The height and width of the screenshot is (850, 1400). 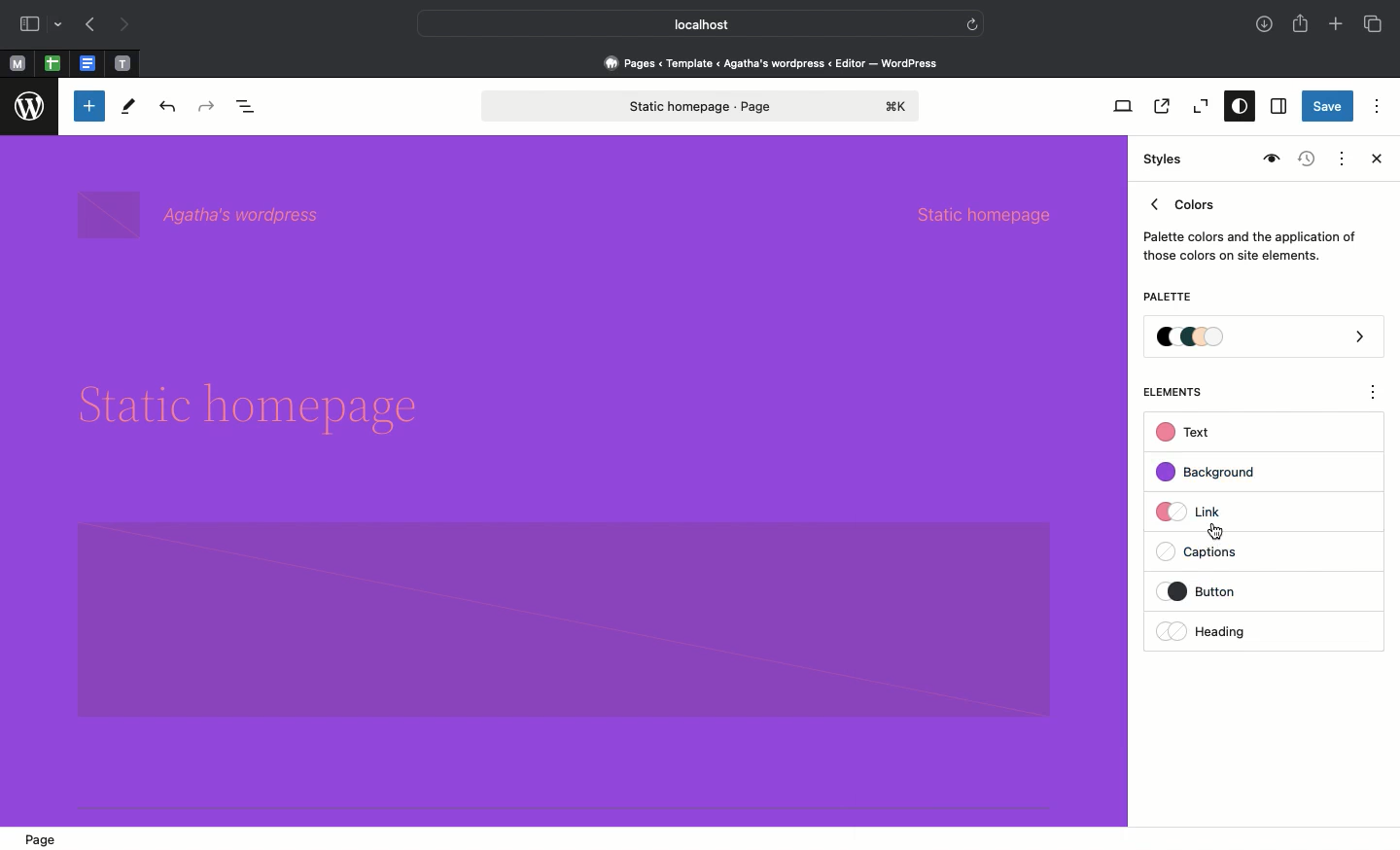 I want to click on Captions, so click(x=1207, y=553).